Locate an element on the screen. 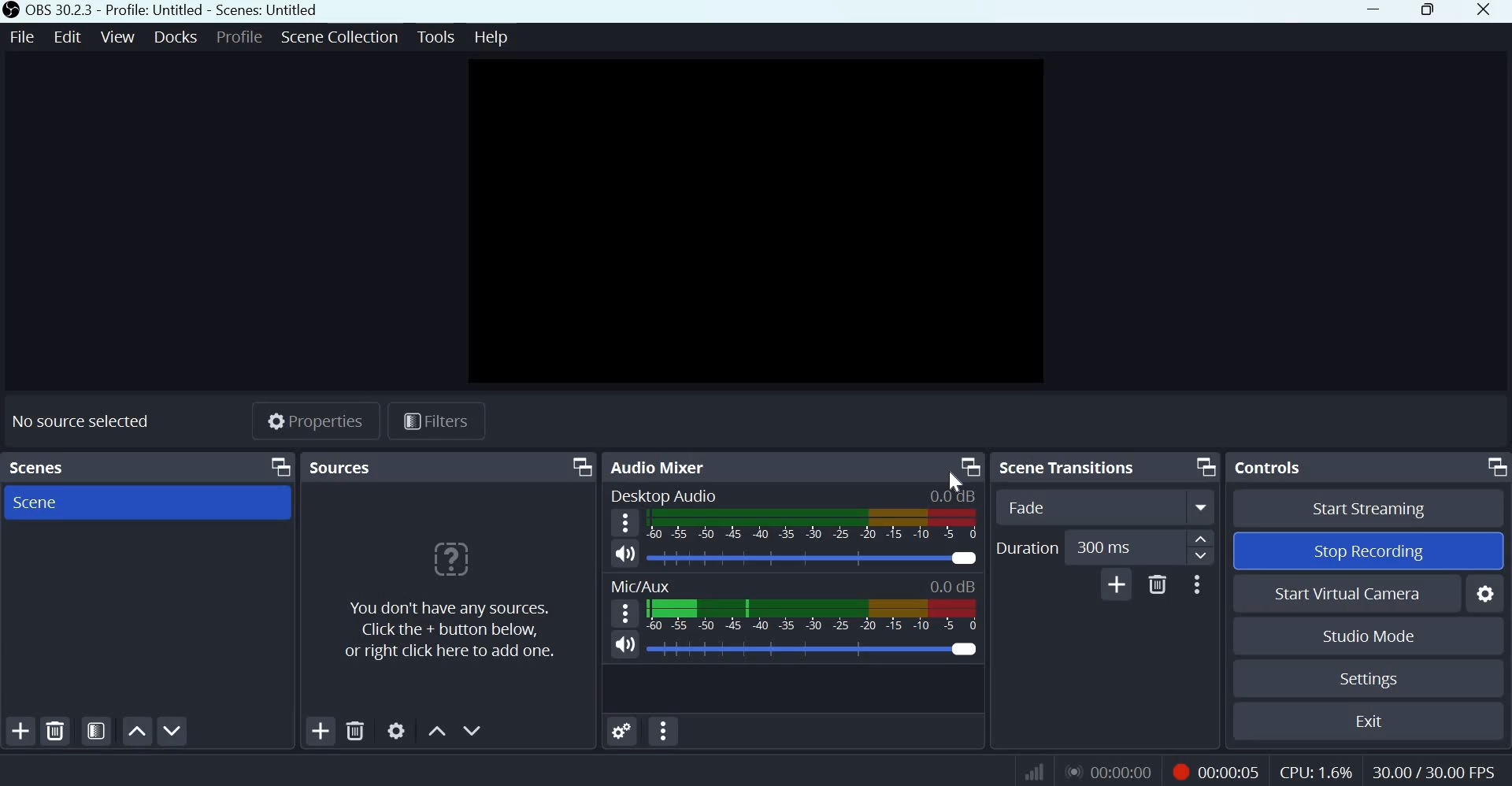 The width and height of the screenshot is (1512, 786). Move source(s) down is located at coordinates (477, 730).